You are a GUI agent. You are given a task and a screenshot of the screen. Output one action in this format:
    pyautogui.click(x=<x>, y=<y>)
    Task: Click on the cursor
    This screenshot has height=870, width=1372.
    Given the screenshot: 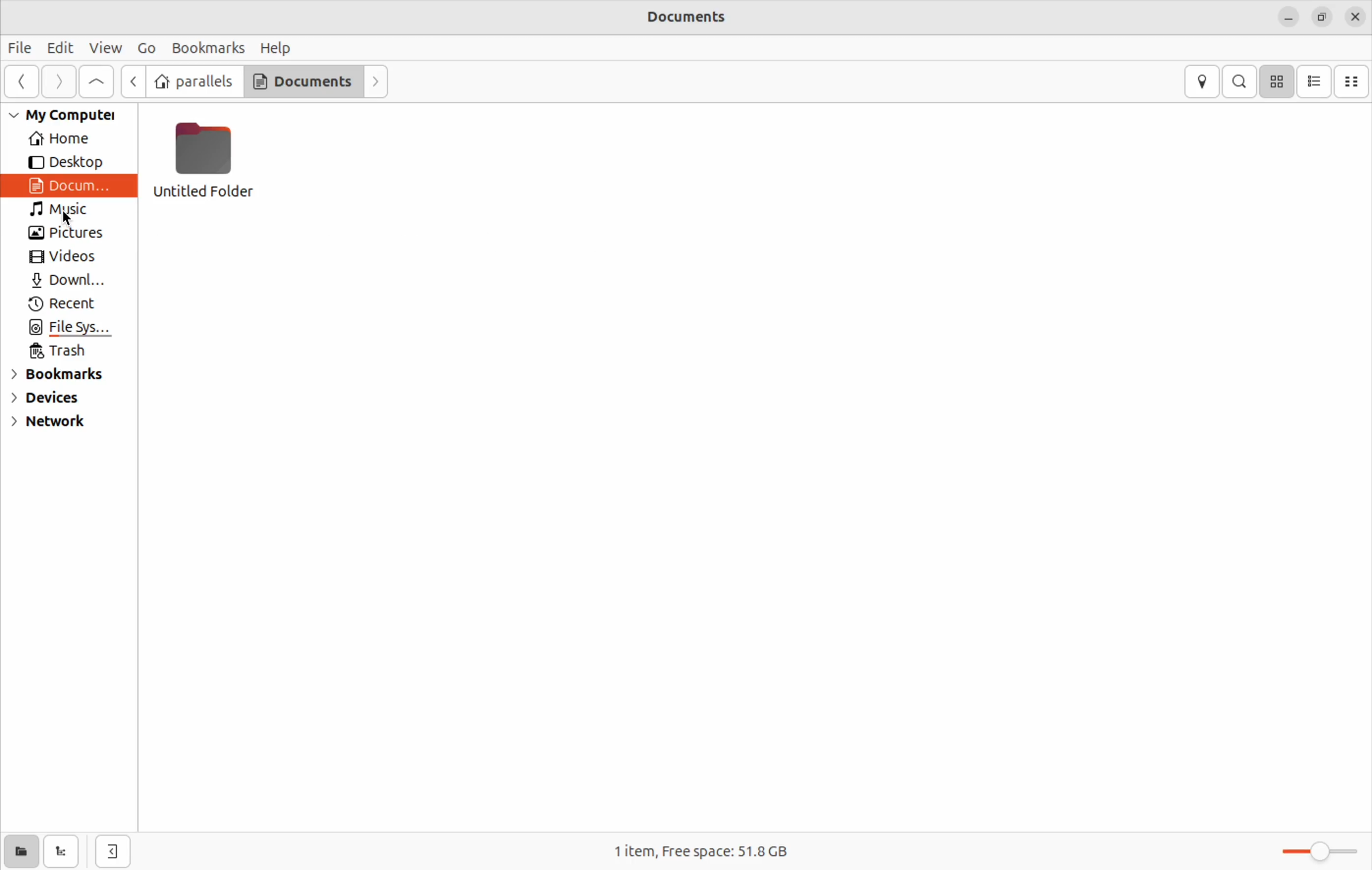 What is the action you would take?
    pyautogui.click(x=70, y=221)
    